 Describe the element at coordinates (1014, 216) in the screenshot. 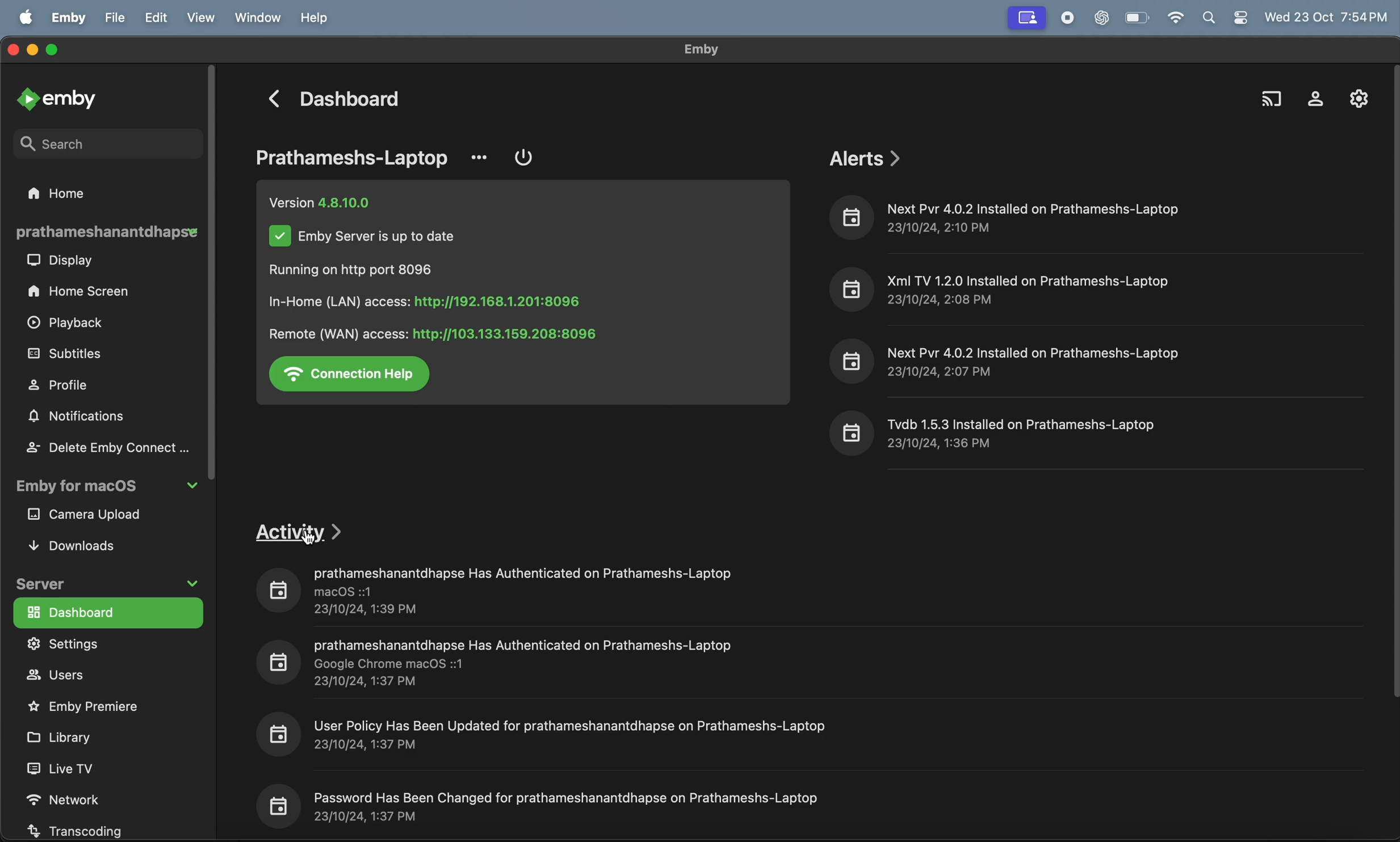

I see `i] Next Pvr 4.0.2 Installed on Prathameshs-Laptop
23/10/24, 2:10 PM` at that location.